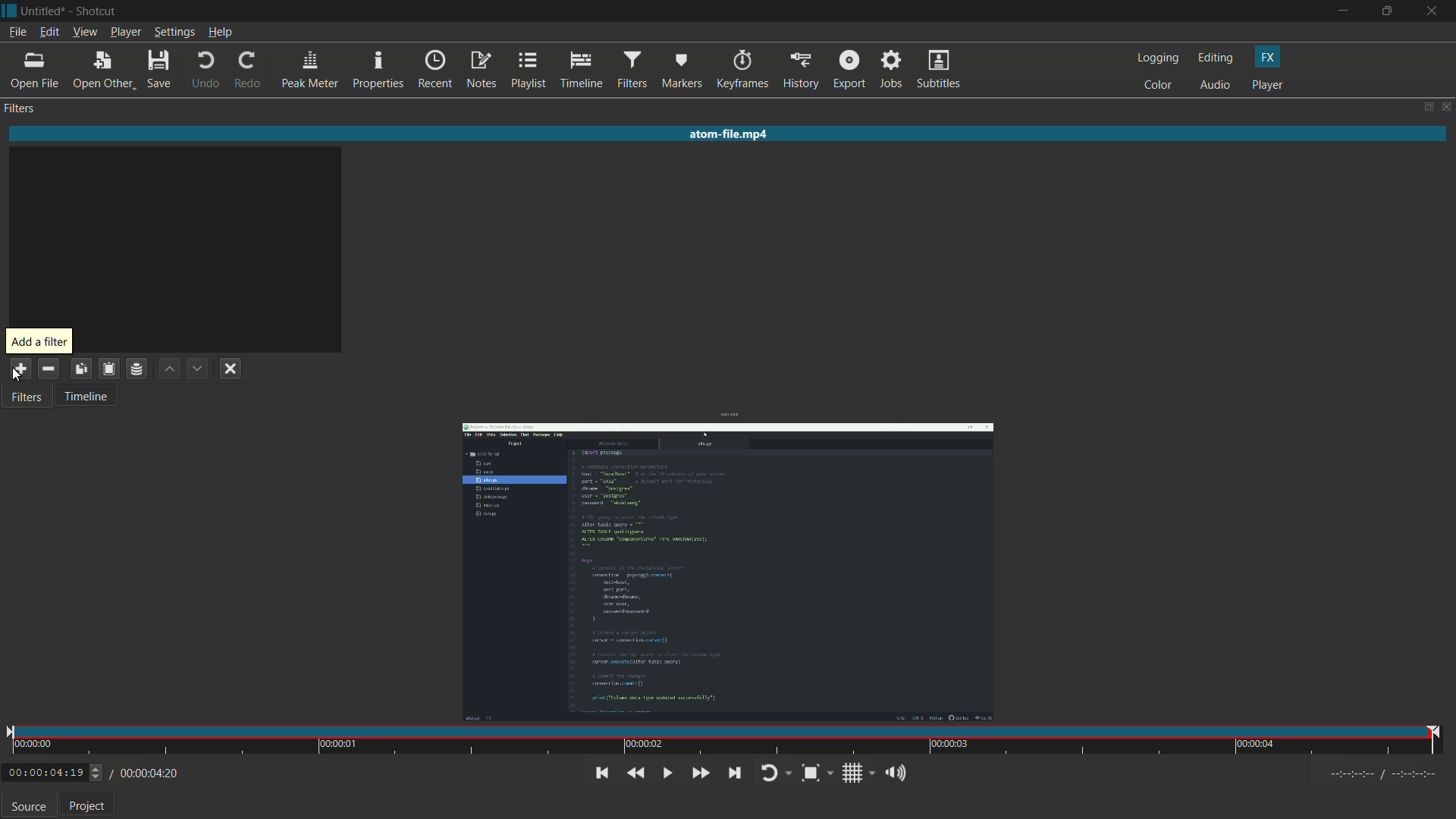 This screenshot has width=1456, height=819. What do you see at coordinates (482, 70) in the screenshot?
I see `notes` at bounding box center [482, 70].